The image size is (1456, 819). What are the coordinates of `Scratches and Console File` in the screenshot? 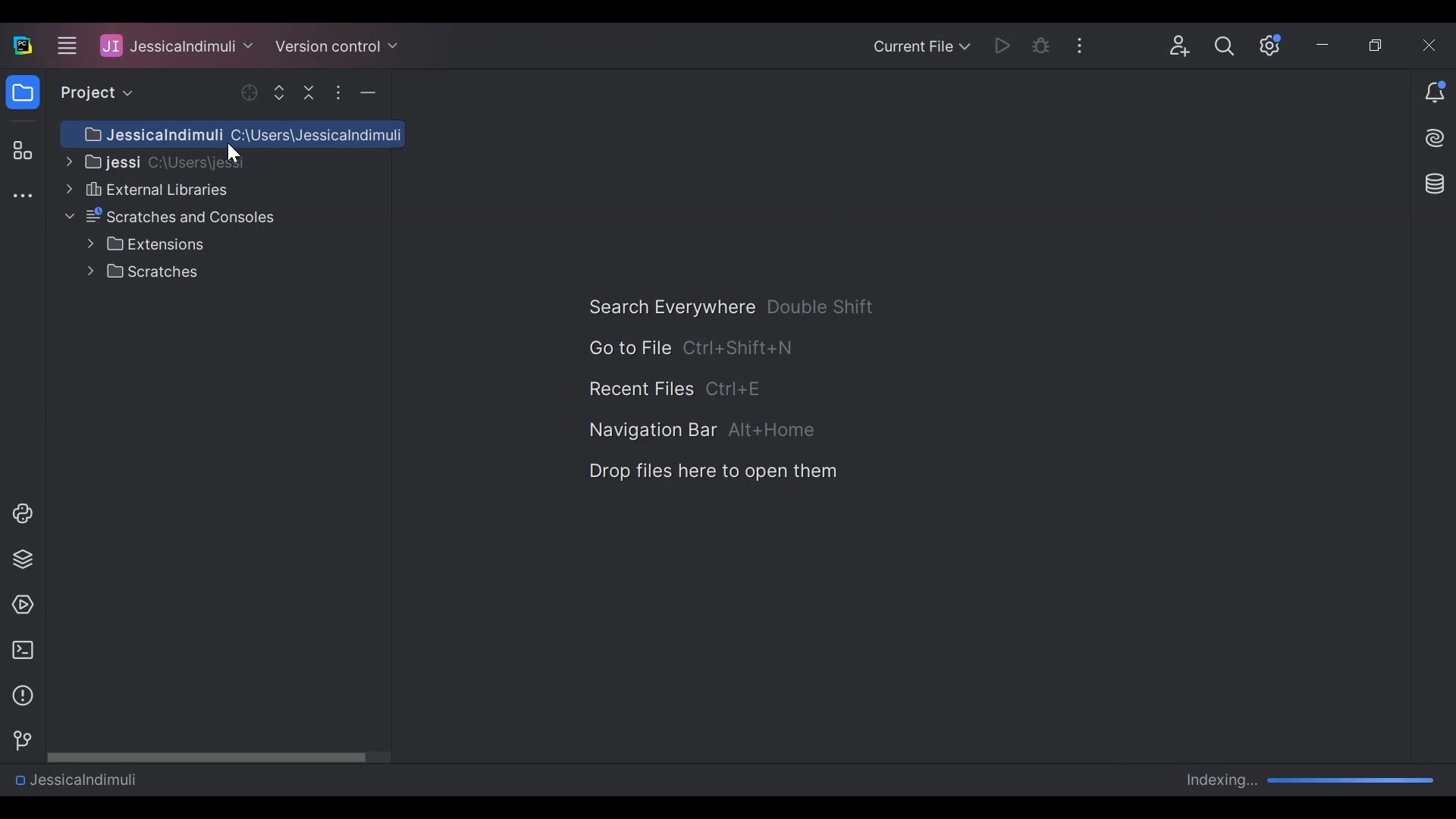 It's located at (173, 217).